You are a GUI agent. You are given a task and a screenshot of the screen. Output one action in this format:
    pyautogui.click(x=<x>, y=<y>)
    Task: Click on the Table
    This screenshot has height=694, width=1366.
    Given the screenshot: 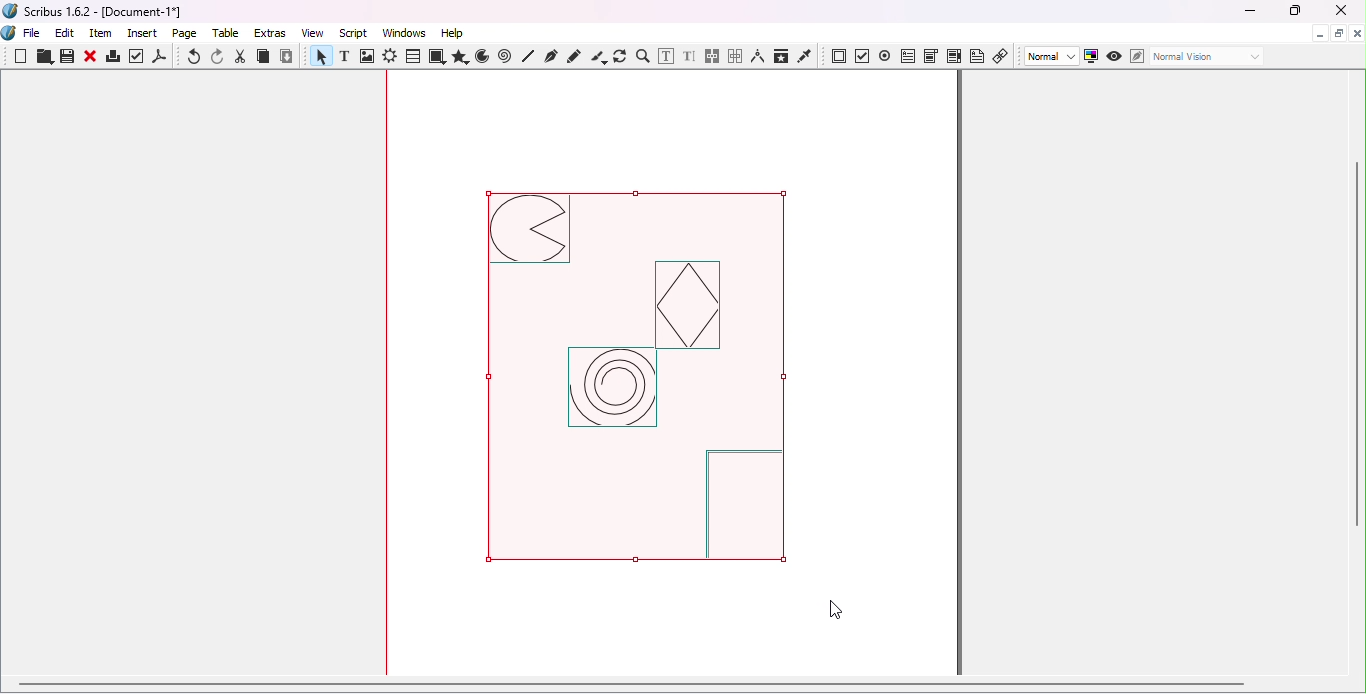 What is the action you would take?
    pyautogui.click(x=229, y=34)
    